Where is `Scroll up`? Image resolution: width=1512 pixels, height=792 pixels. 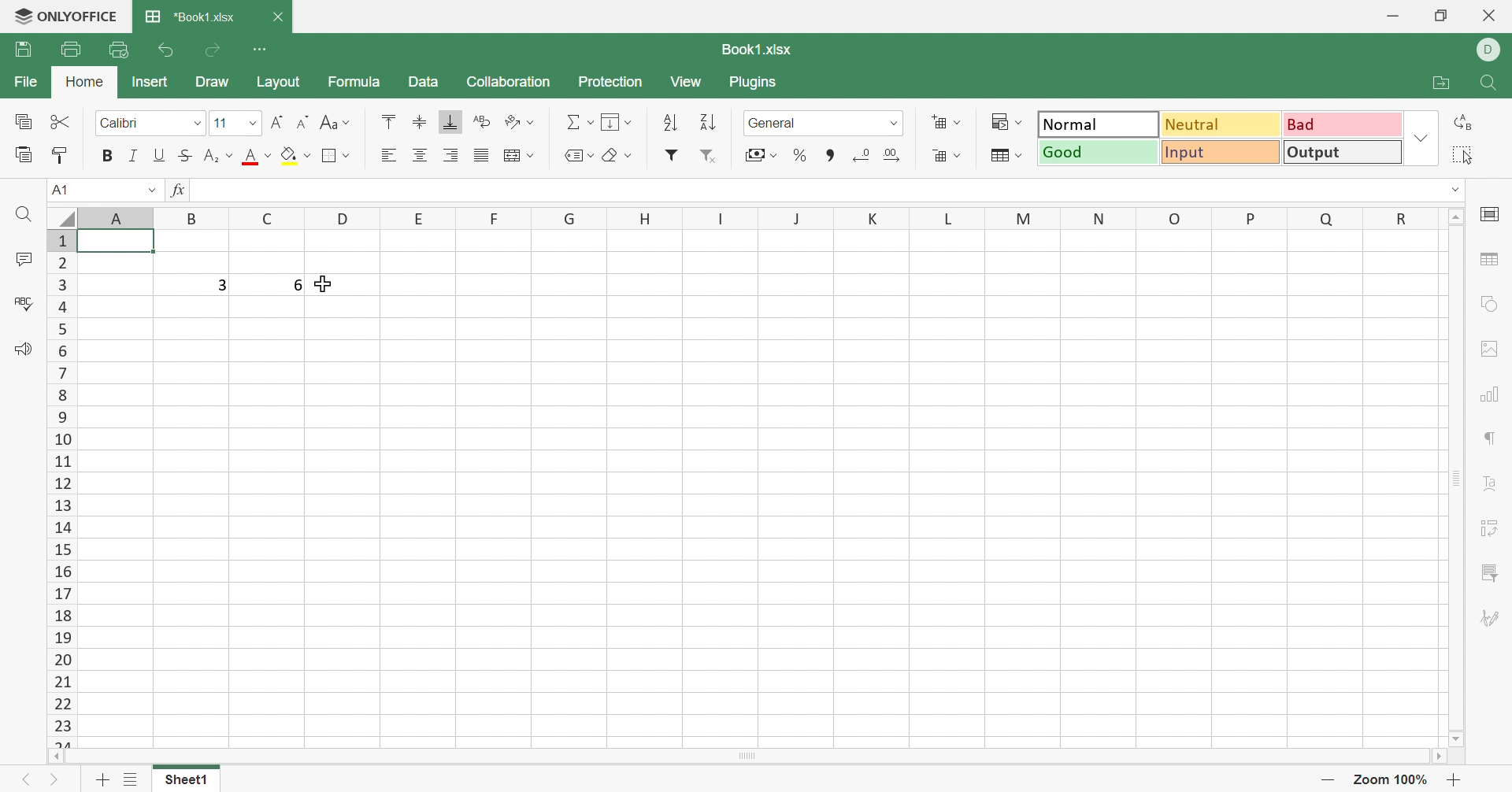 Scroll up is located at coordinates (1460, 215).